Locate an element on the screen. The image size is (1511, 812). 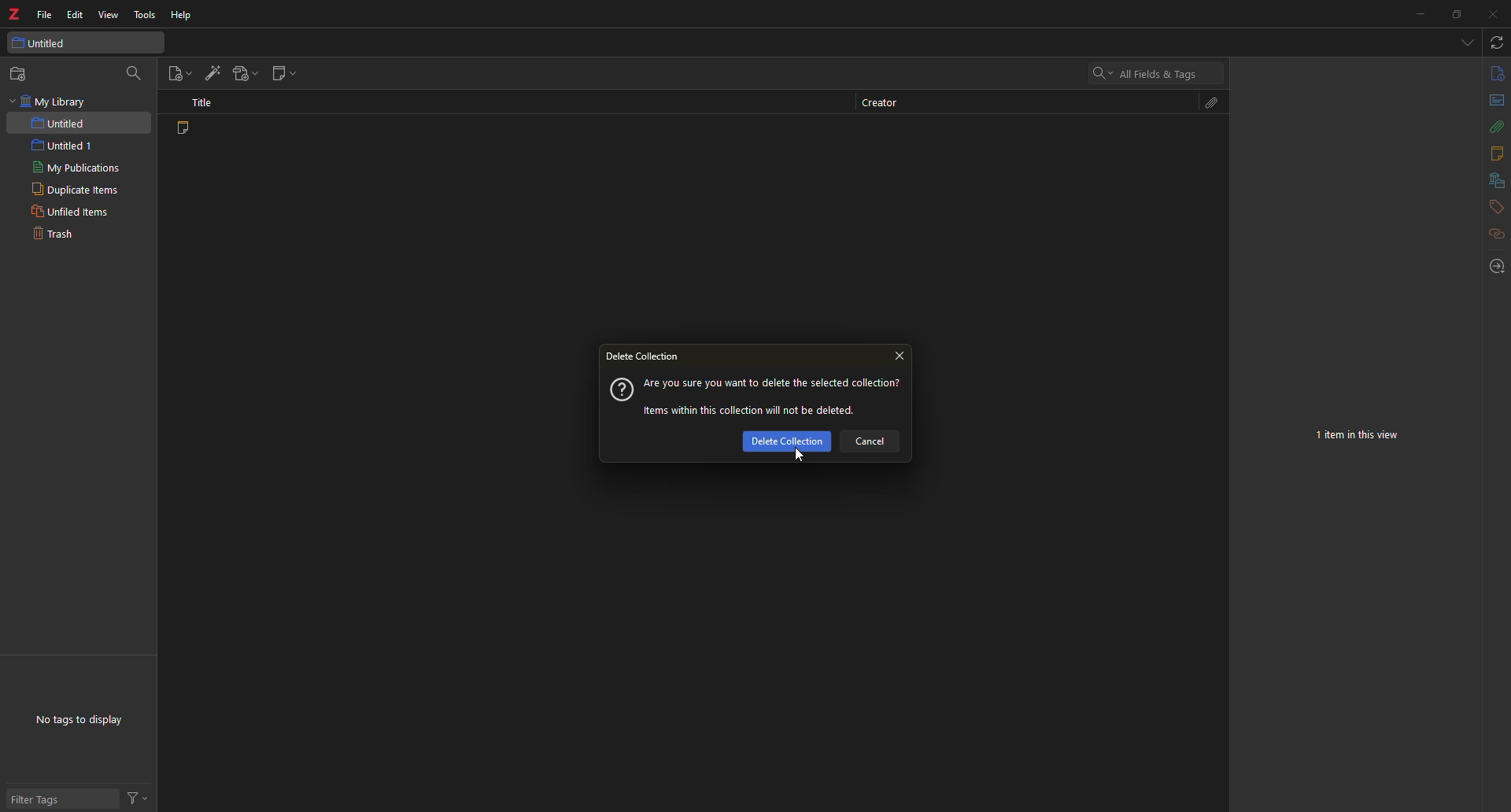
untitled is located at coordinates (65, 123).